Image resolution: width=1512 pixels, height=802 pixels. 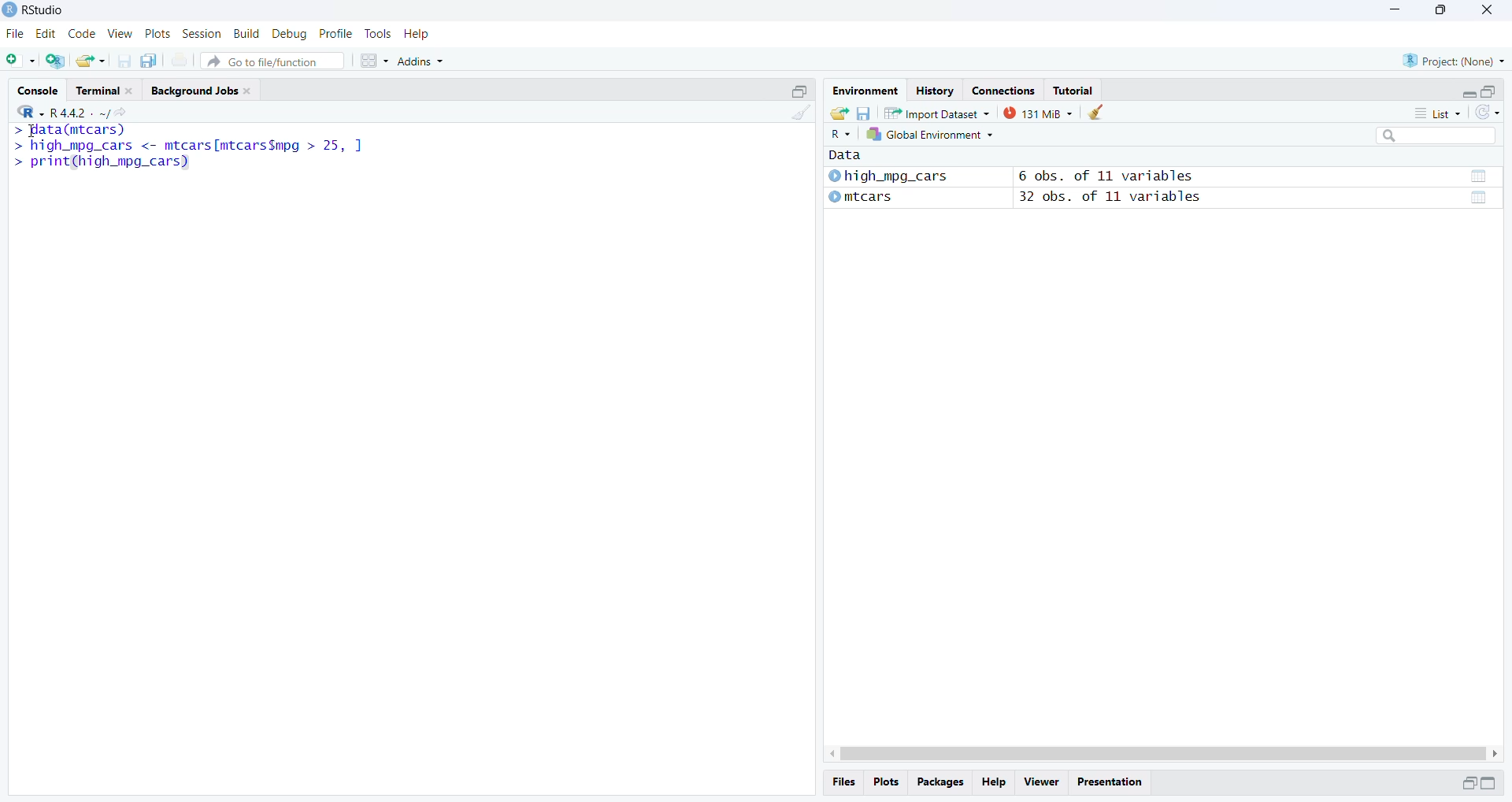 What do you see at coordinates (180, 60) in the screenshot?
I see `print` at bounding box center [180, 60].